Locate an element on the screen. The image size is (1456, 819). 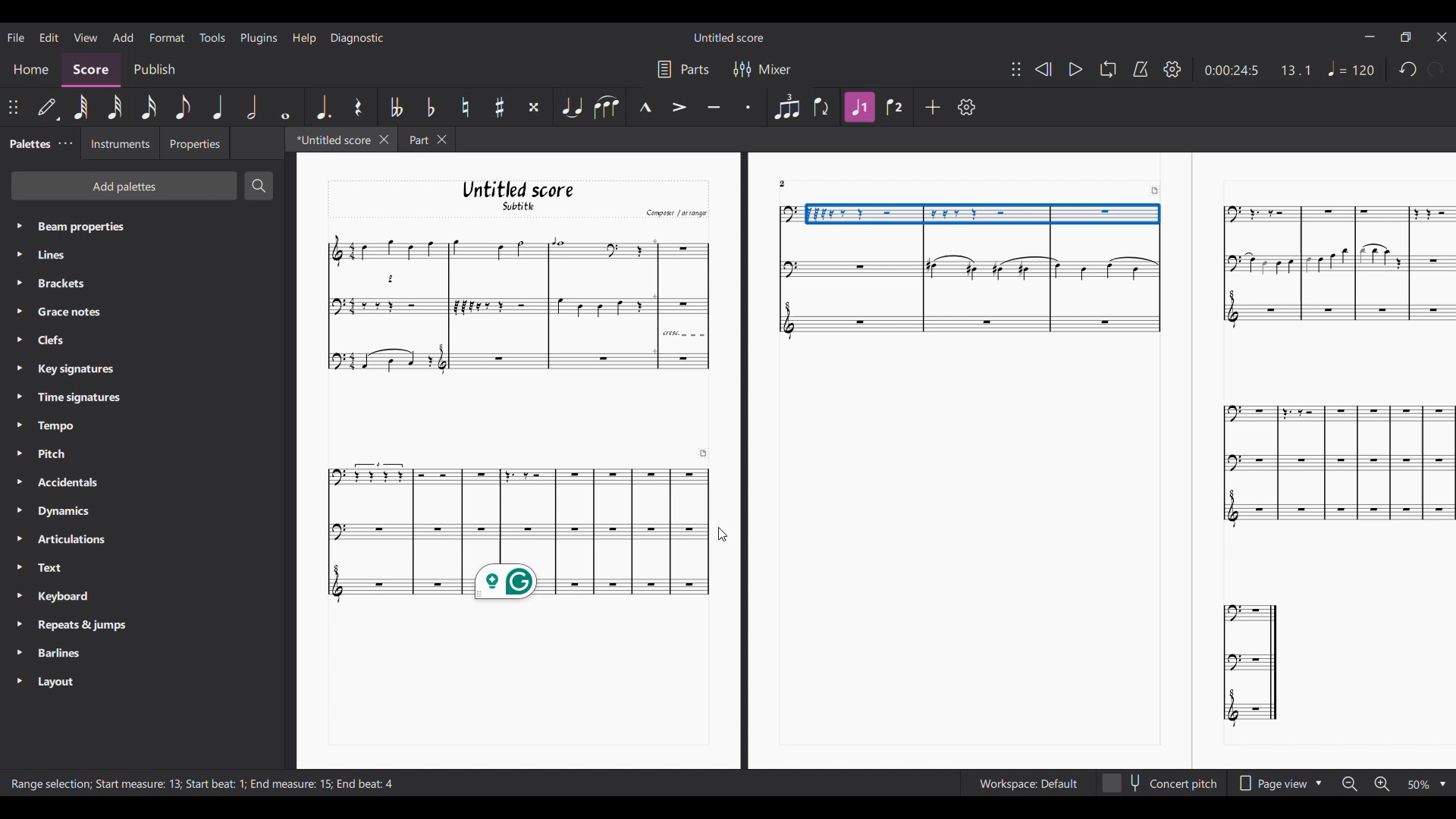
Undo is located at coordinates (1408, 70).